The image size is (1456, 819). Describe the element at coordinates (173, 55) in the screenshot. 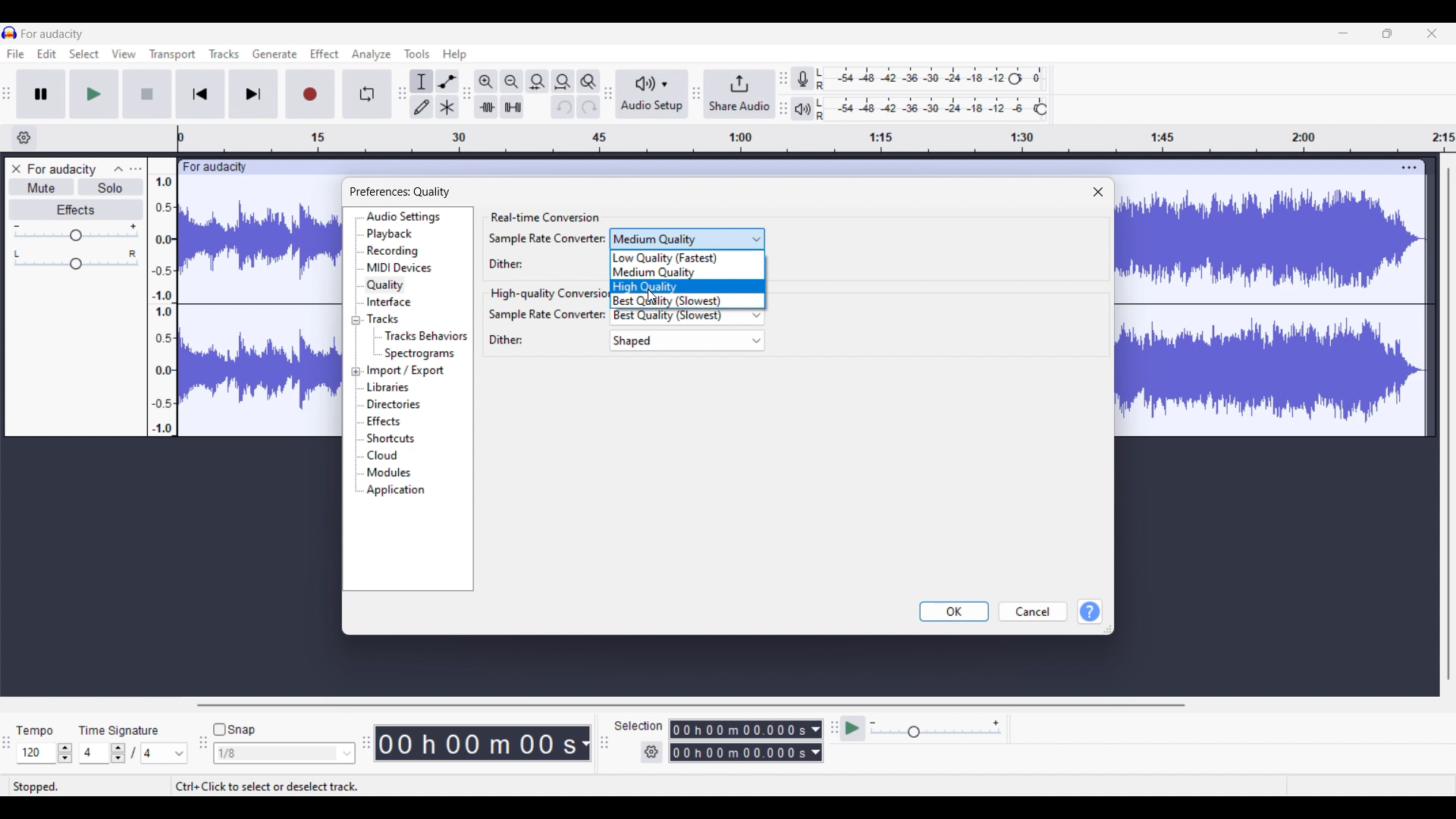

I see `Transport menu` at that location.